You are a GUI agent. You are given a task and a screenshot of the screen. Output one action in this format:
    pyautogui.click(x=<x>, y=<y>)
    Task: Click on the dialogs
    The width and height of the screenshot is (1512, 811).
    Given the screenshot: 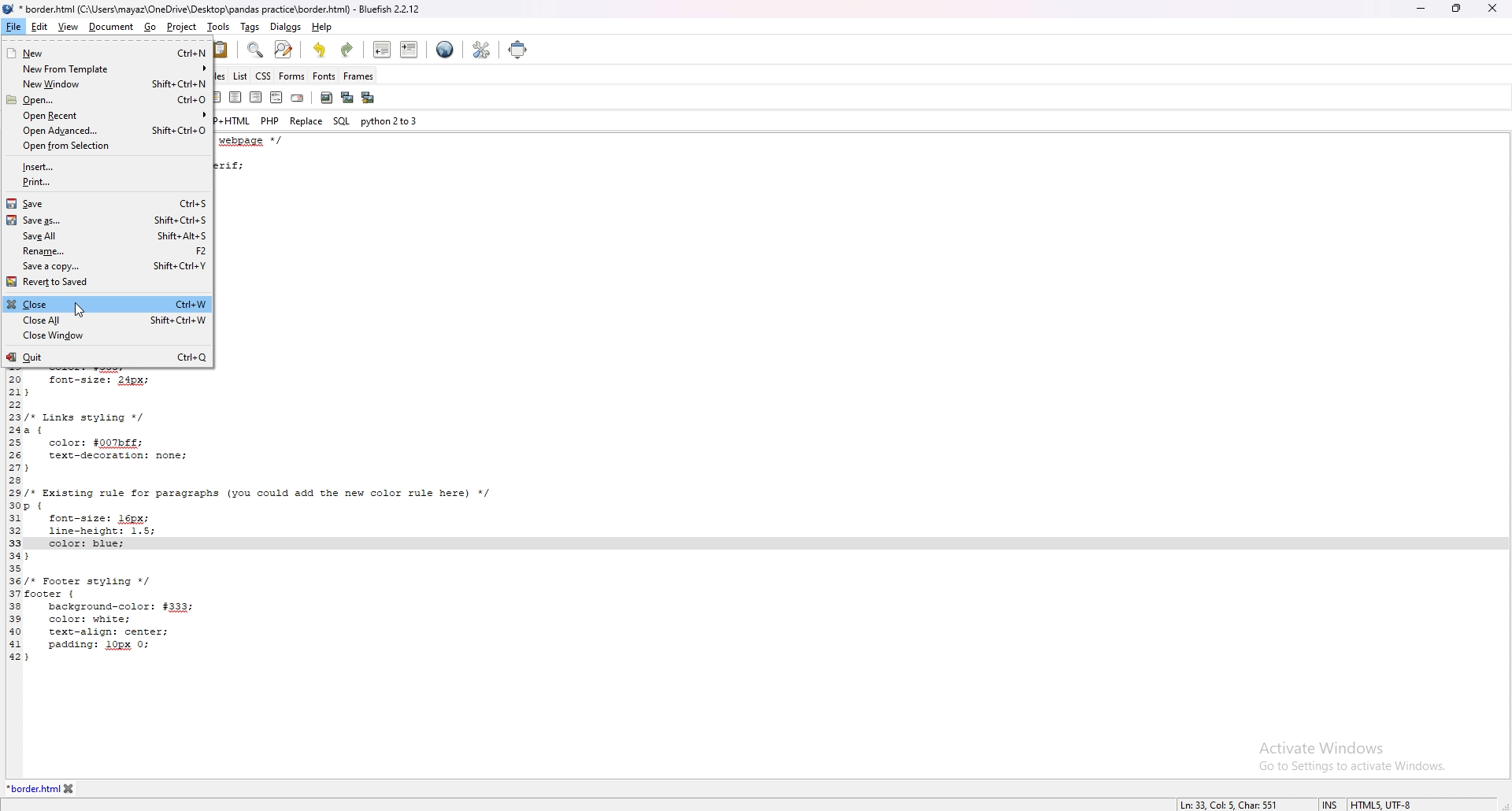 What is the action you would take?
    pyautogui.click(x=287, y=26)
    